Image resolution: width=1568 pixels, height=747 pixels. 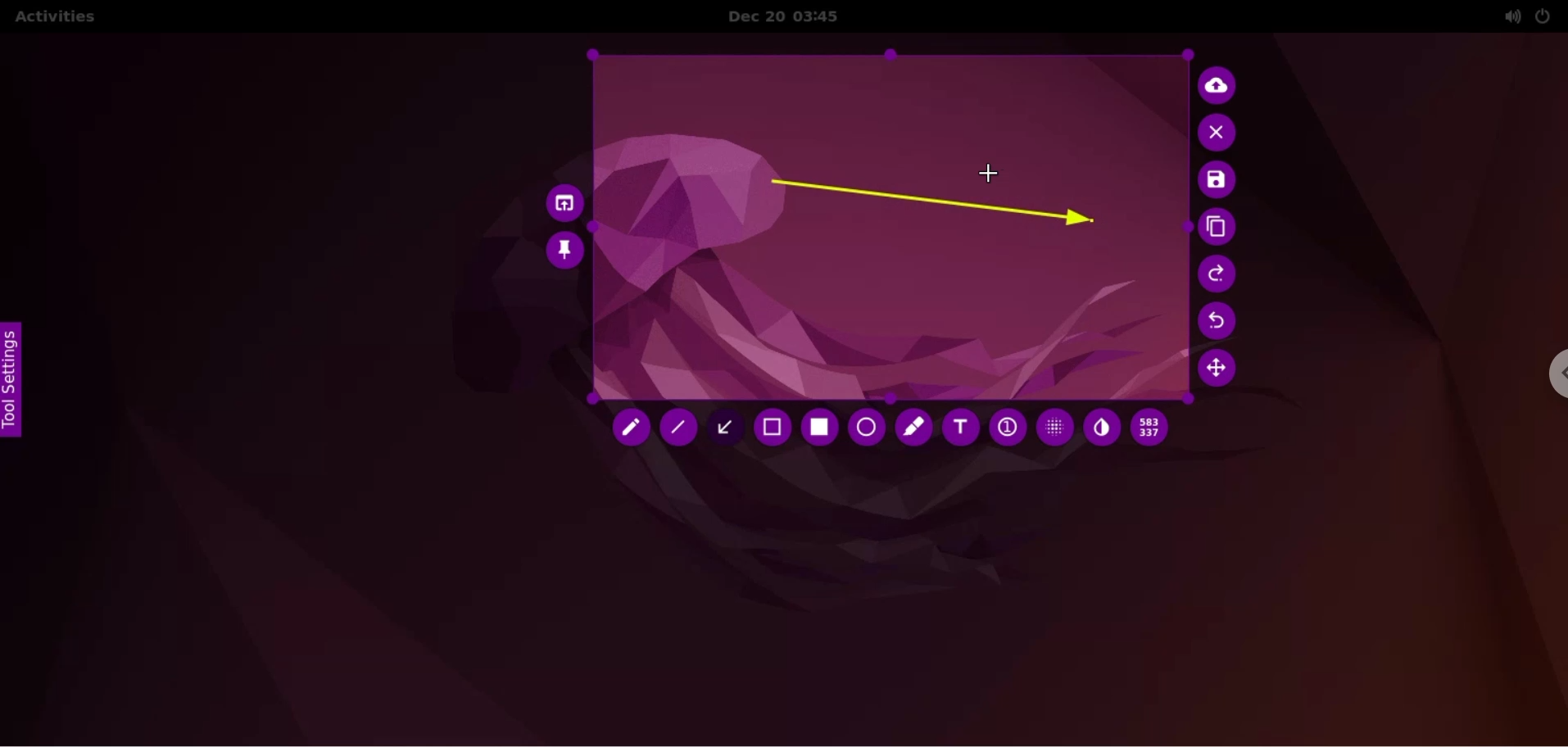 I want to click on pencil, so click(x=628, y=429).